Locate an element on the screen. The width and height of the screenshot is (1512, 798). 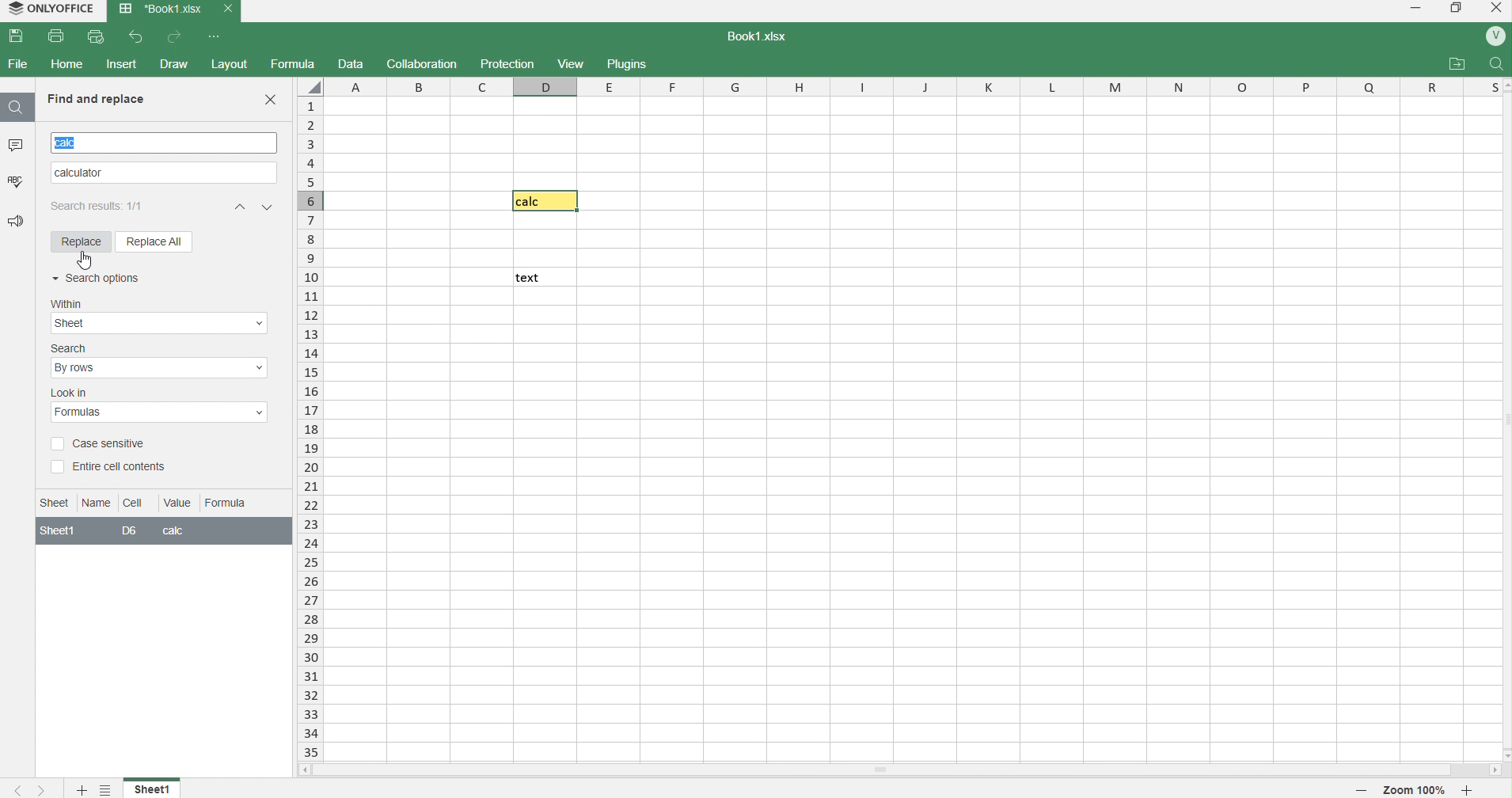
text is located at coordinates (543, 275).